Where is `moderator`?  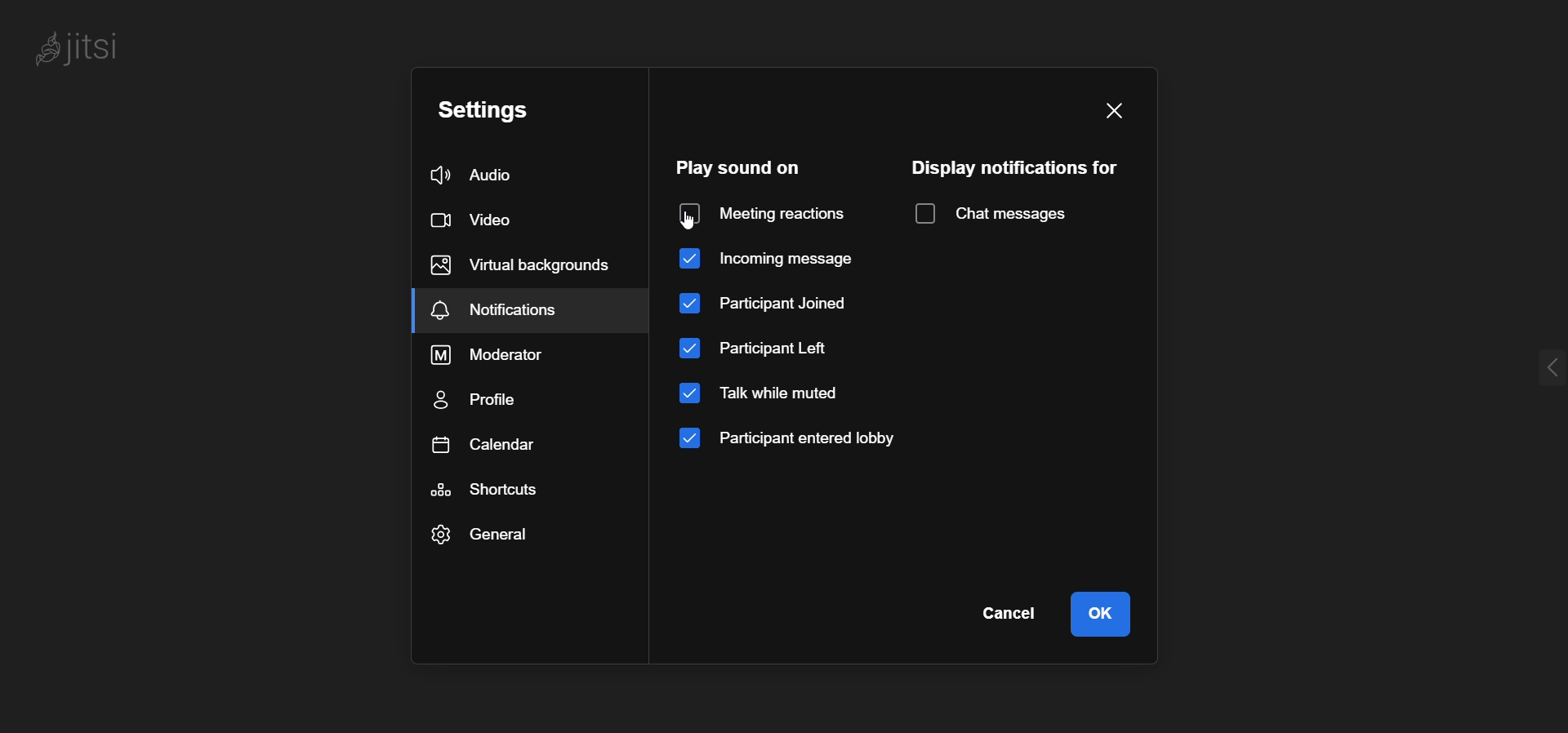 moderator is located at coordinates (488, 355).